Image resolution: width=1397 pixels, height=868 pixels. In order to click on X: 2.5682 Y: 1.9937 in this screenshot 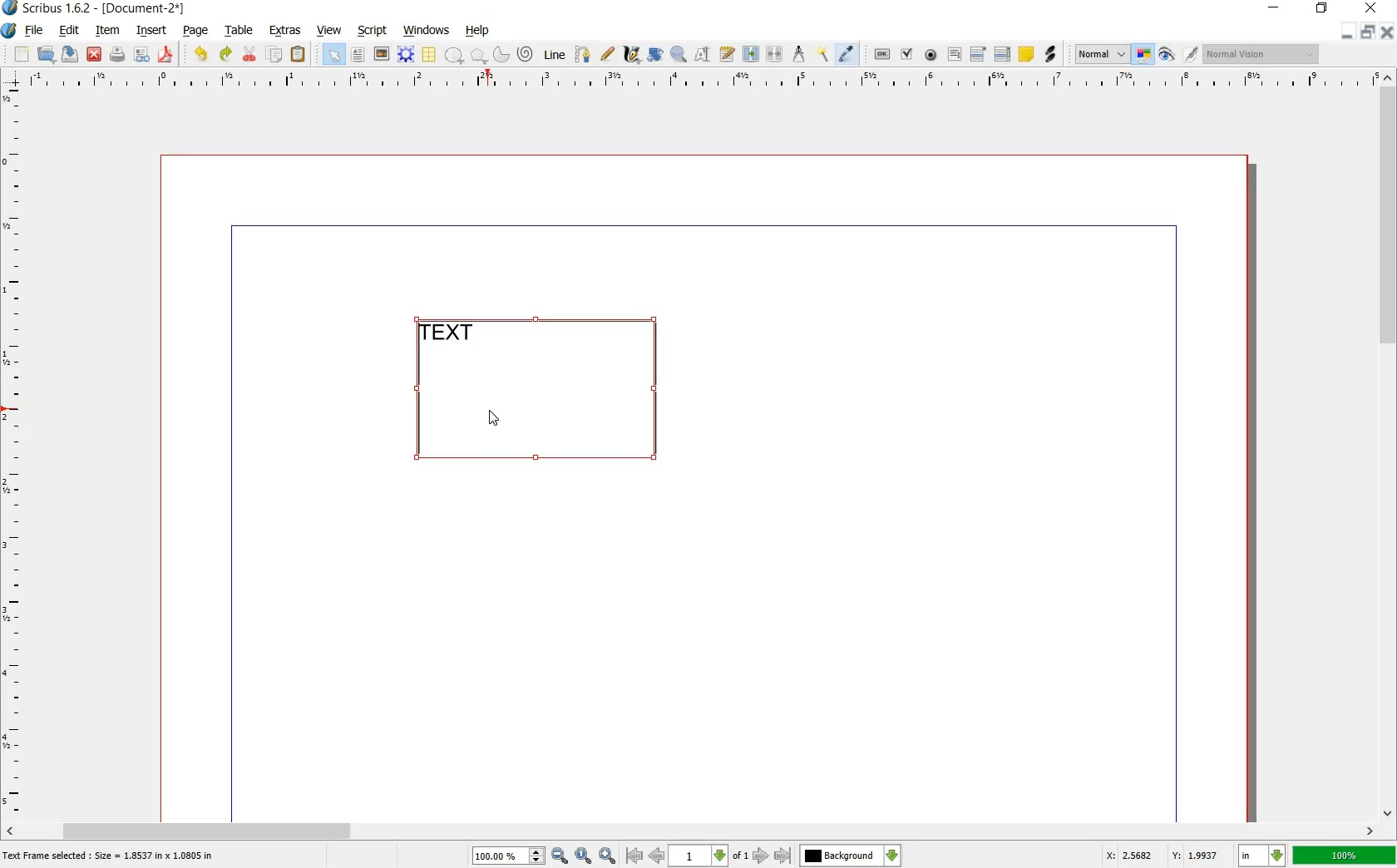, I will do `click(1162, 855)`.